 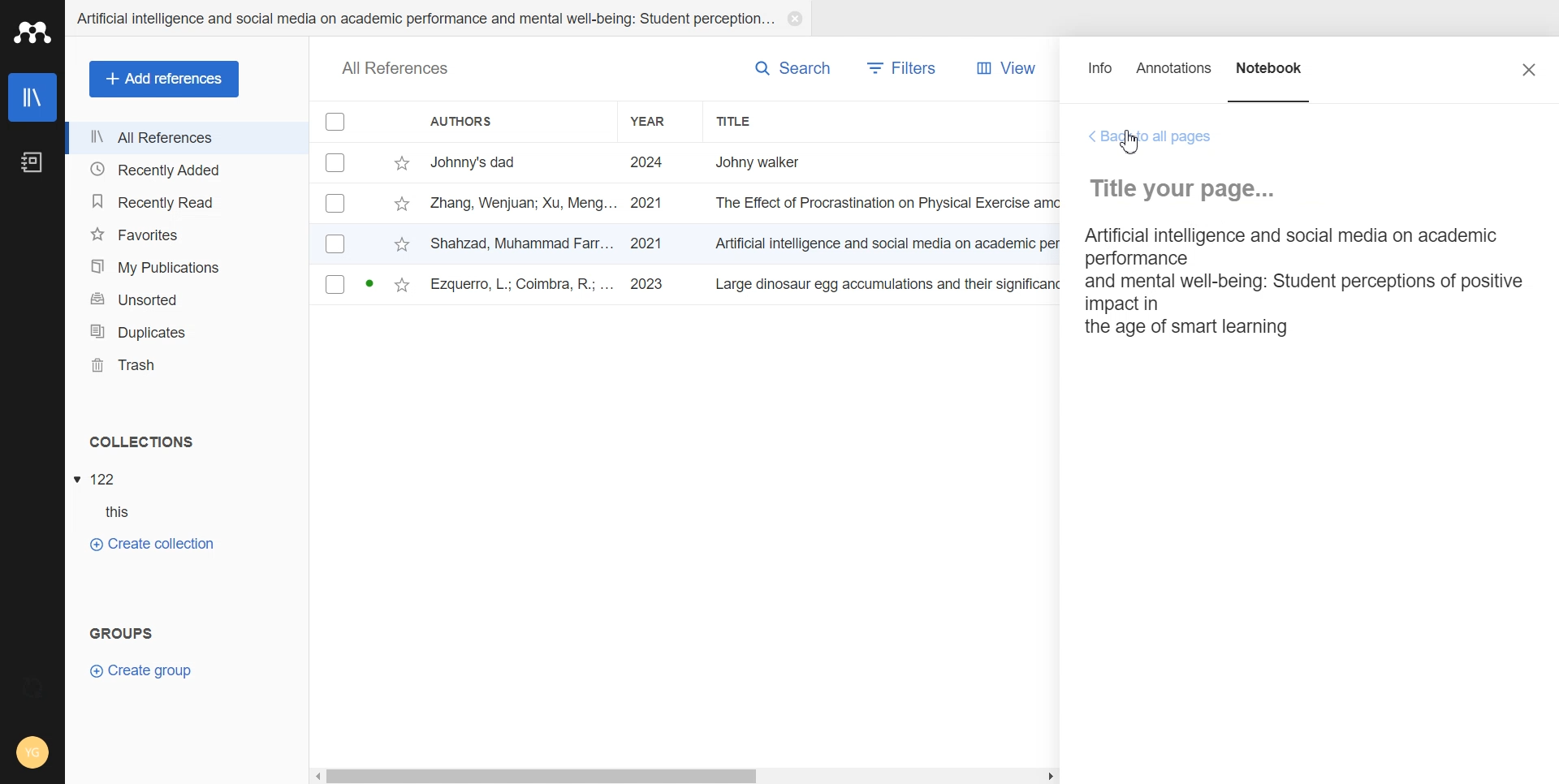 What do you see at coordinates (338, 162) in the screenshot?
I see `Checkbox` at bounding box center [338, 162].